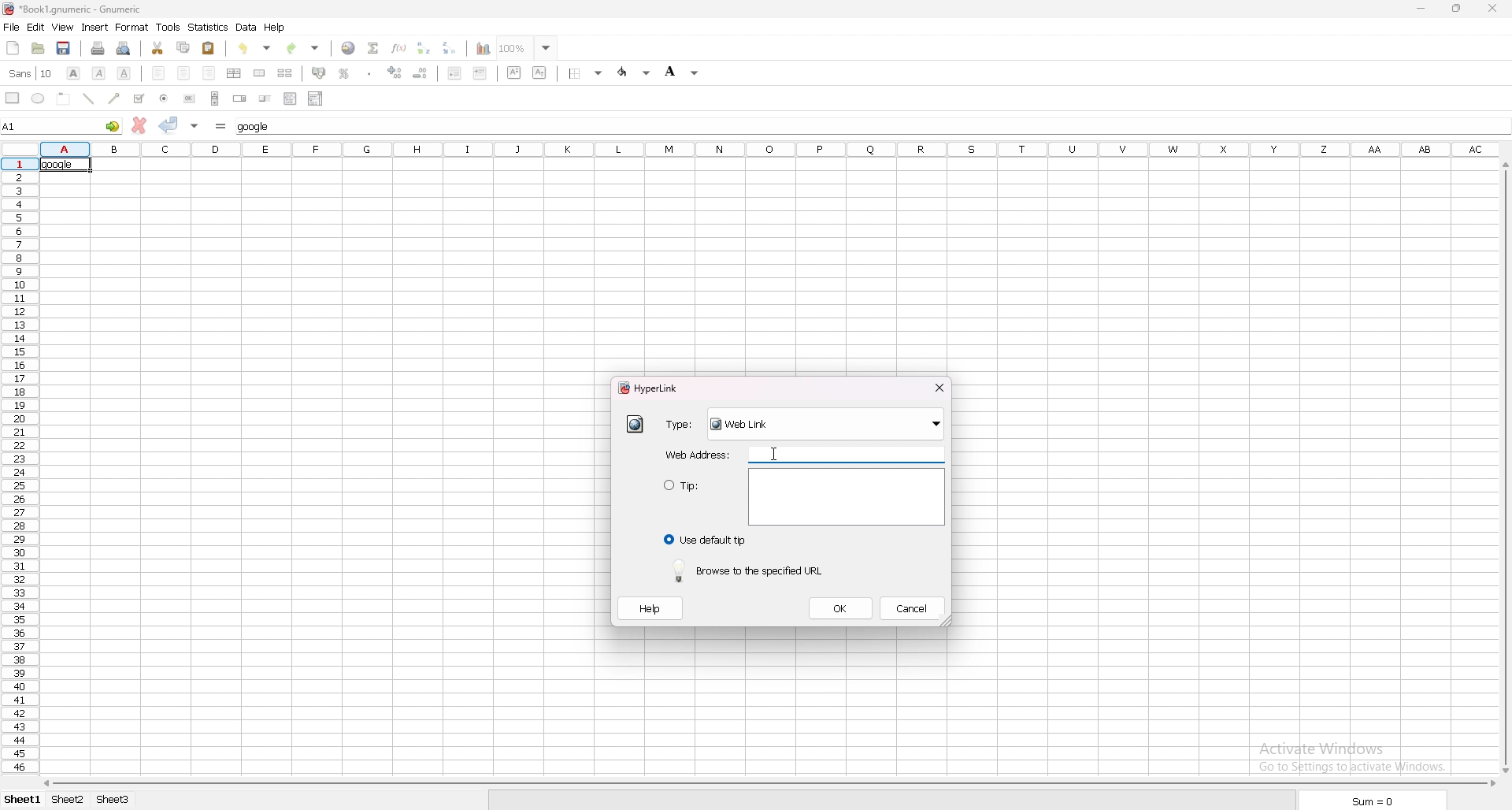 This screenshot has height=810, width=1512. I want to click on paste, so click(209, 49).